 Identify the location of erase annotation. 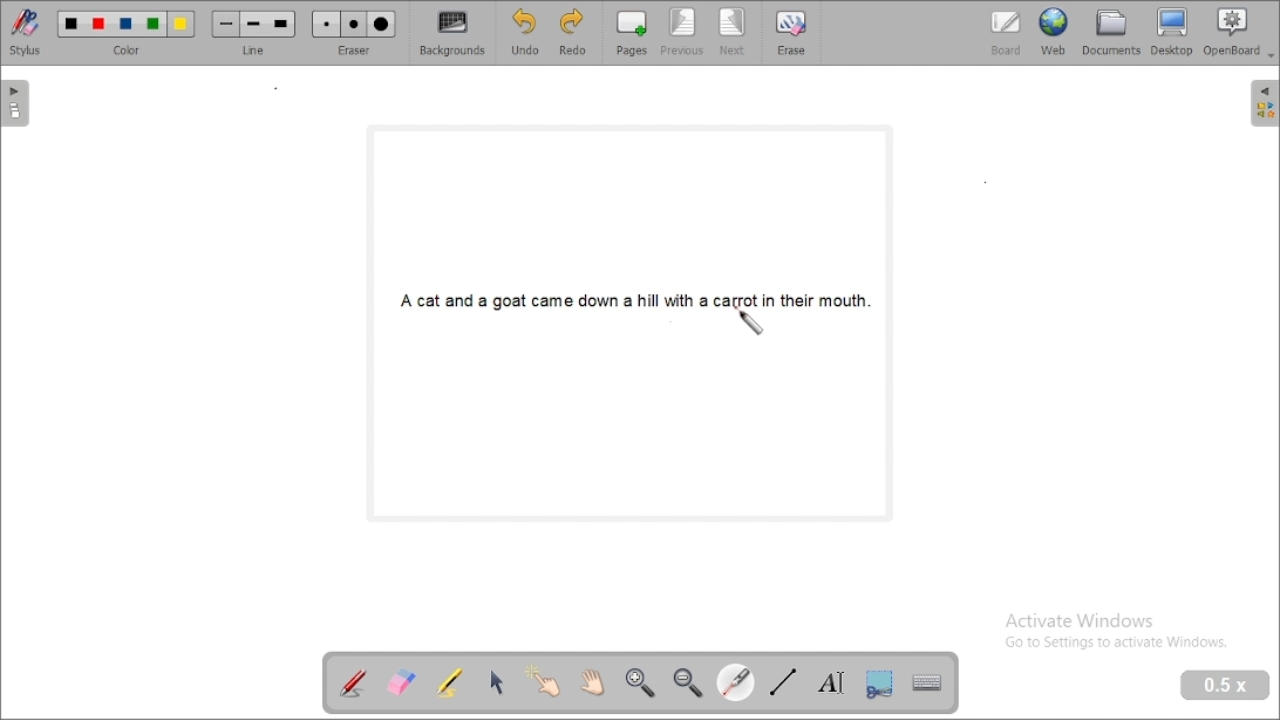
(402, 682).